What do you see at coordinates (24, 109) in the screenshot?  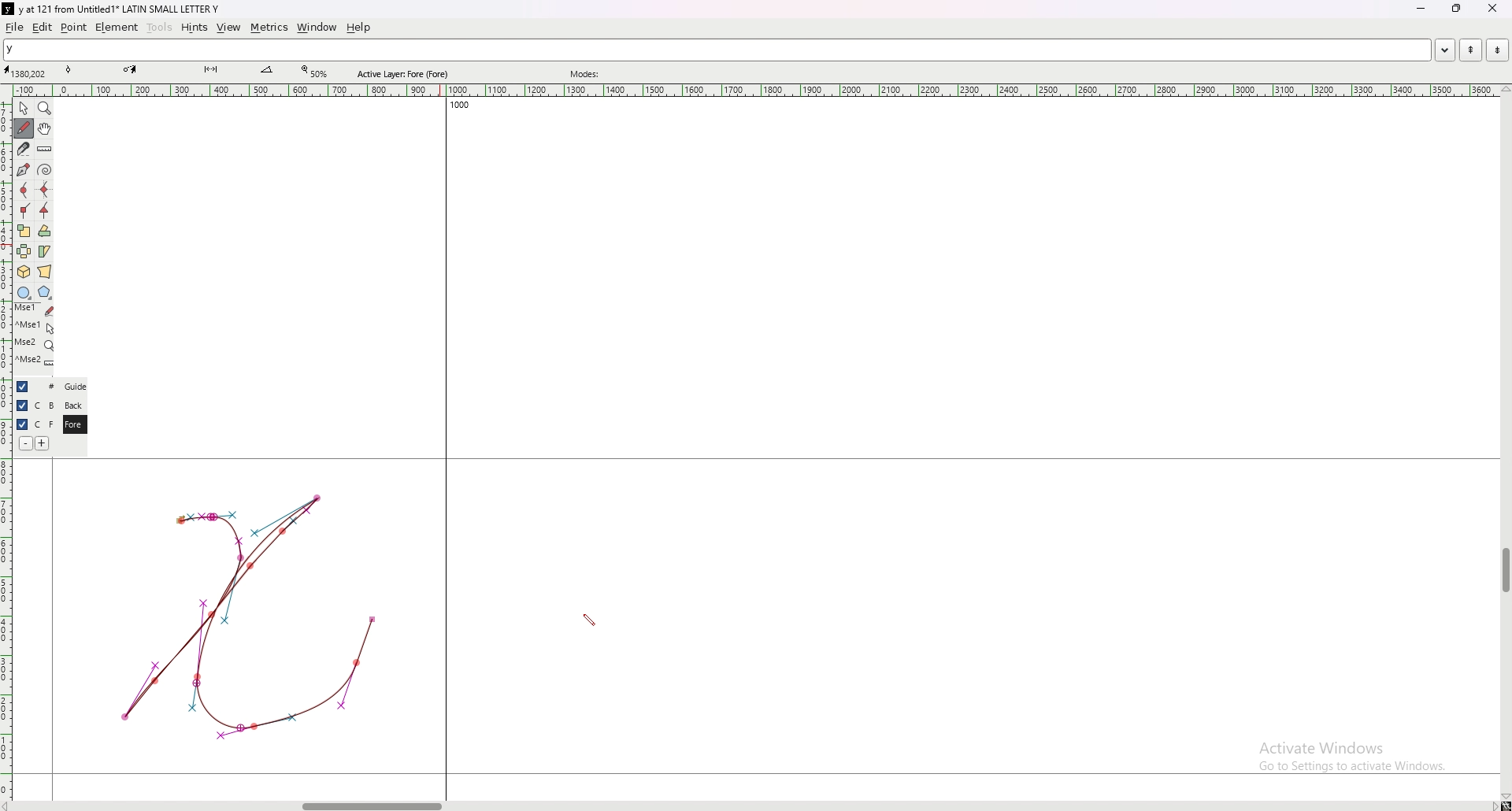 I see `pointer` at bounding box center [24, 109].